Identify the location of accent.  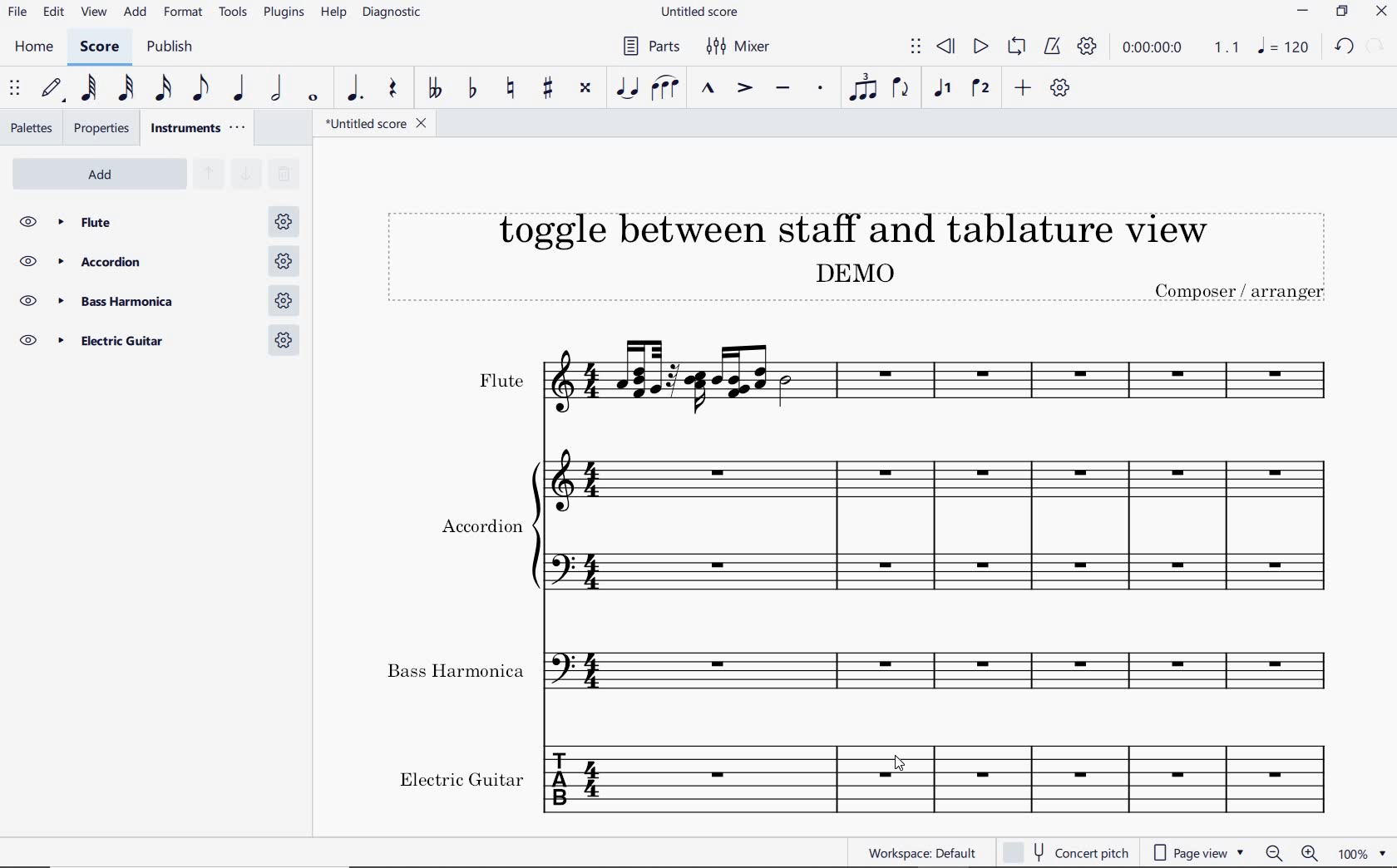
(745, 89).